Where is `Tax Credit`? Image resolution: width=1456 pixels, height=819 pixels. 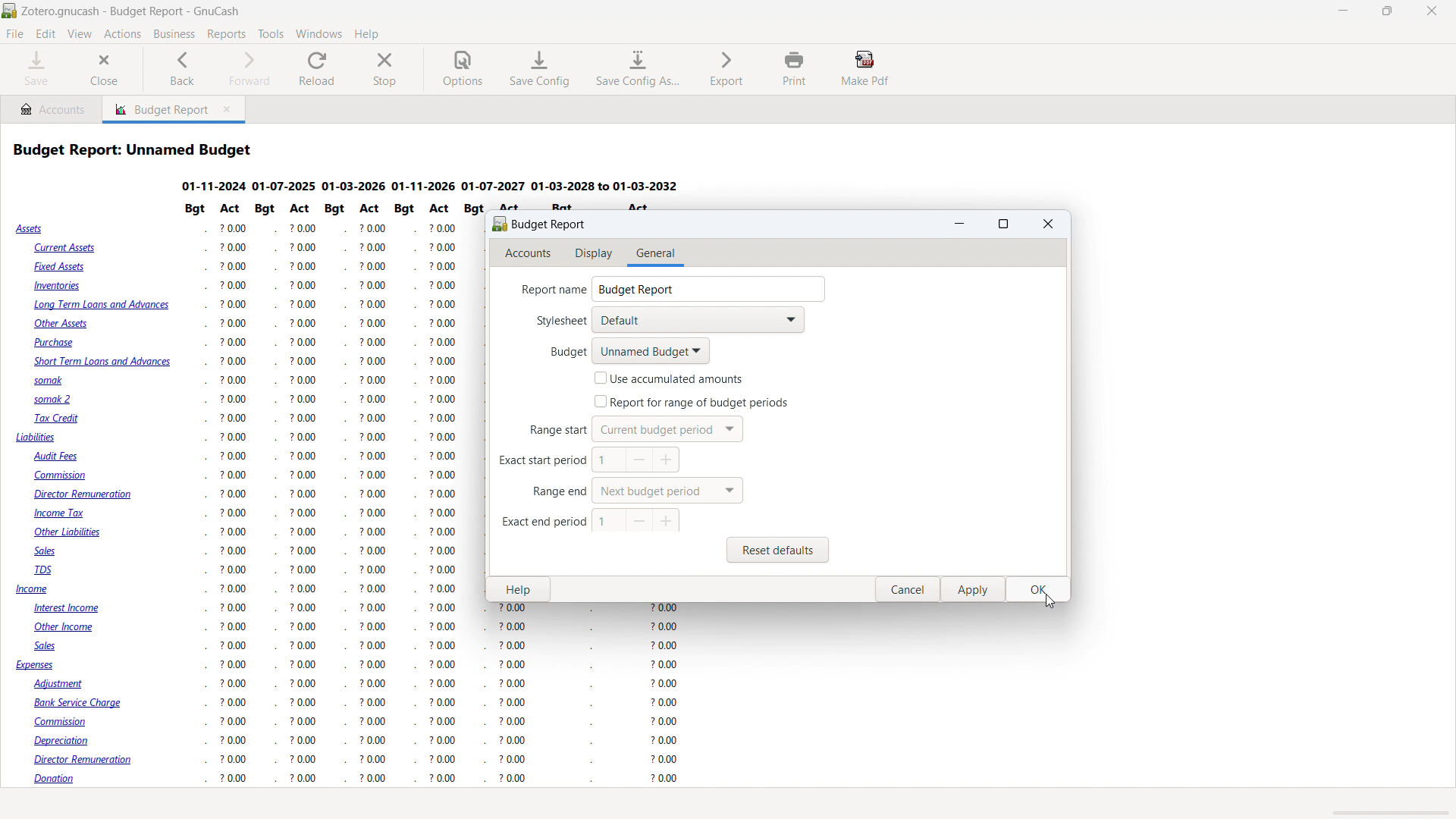 Tax Credit is located at coordinates (58, 419).